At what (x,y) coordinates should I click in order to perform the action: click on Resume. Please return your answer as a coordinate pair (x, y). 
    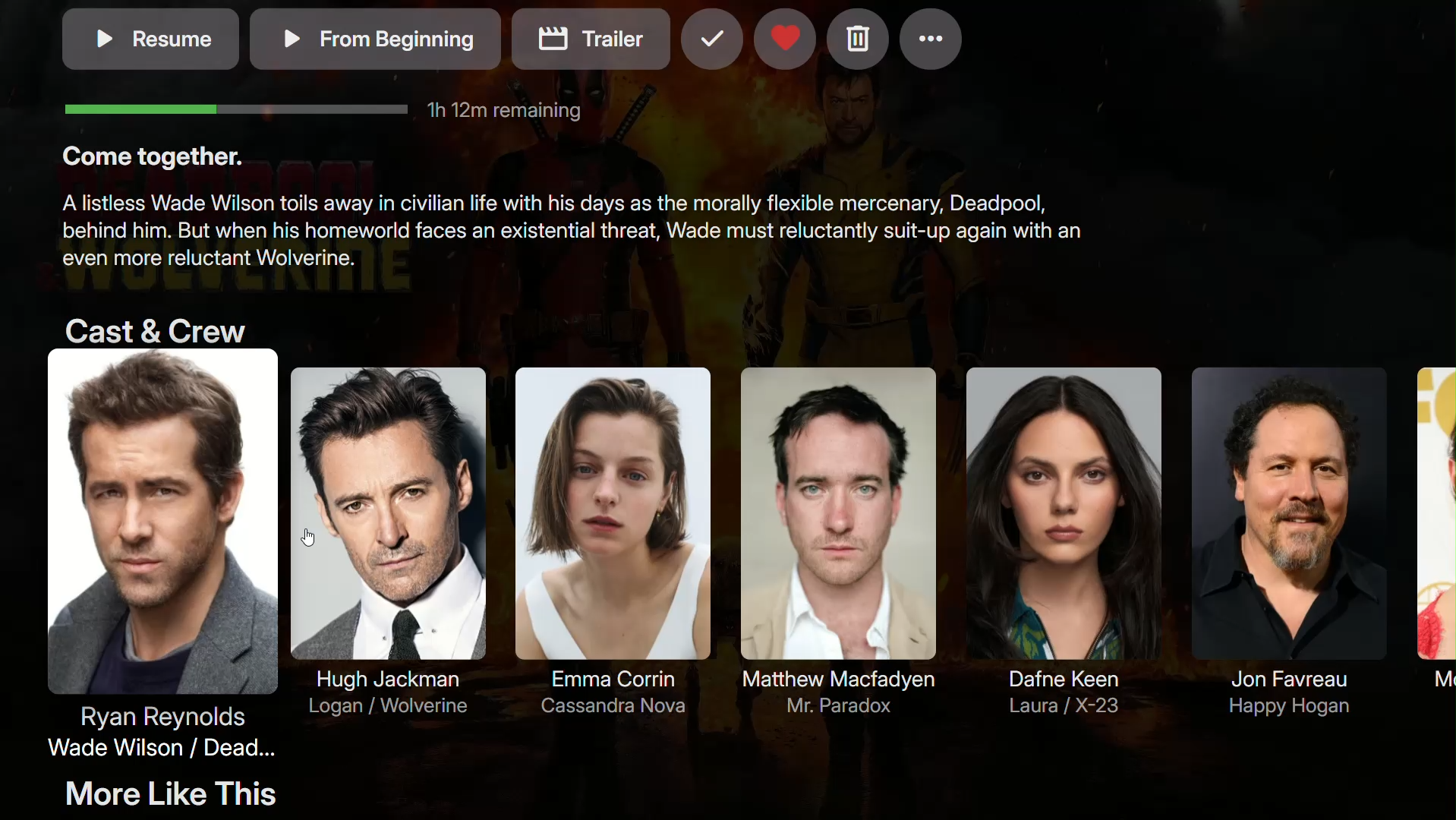
    Looking at the image, I should click on (147, 39).